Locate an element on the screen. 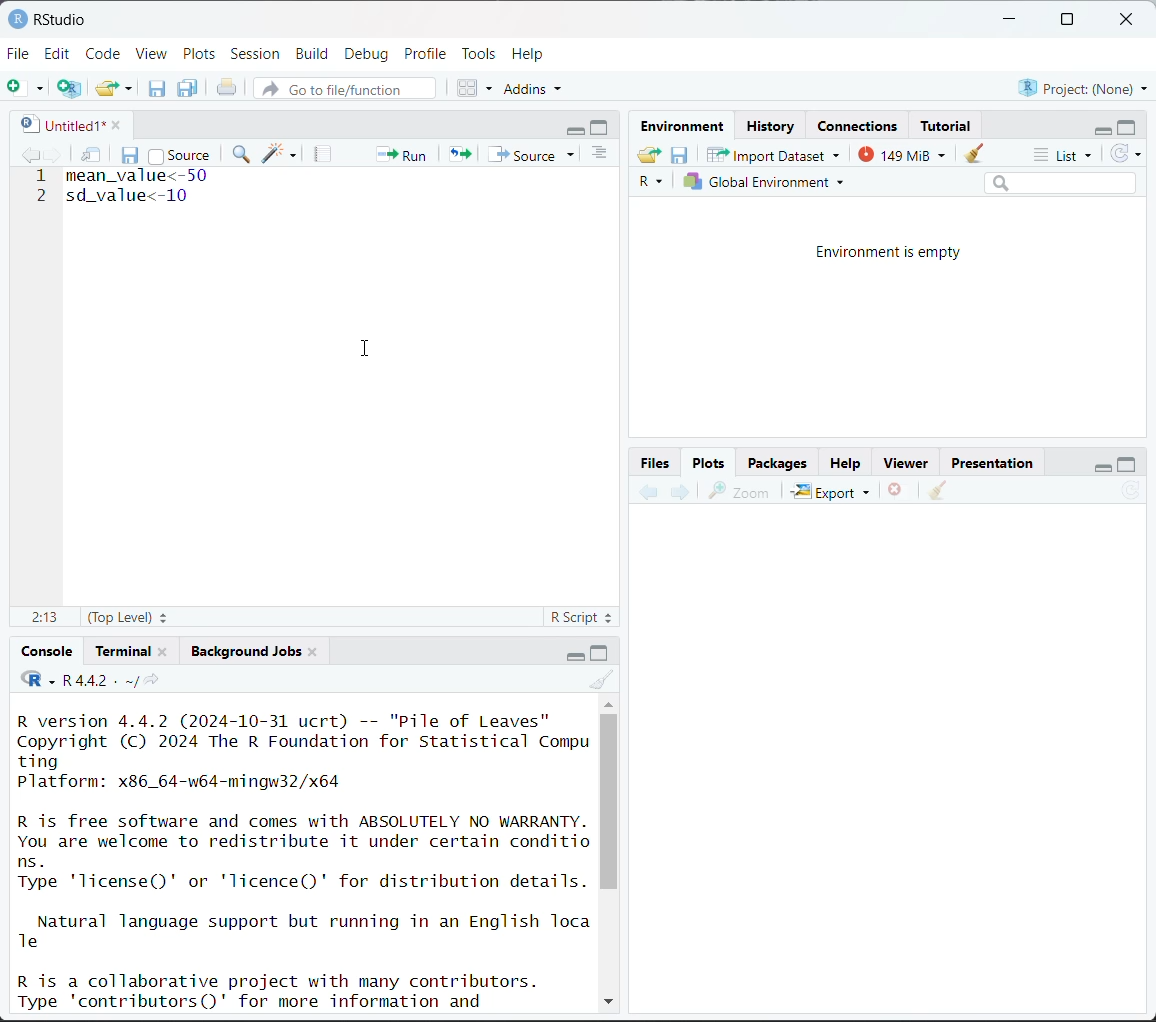 Image resolution: width=1156 pixels, height=1022 pixels. up is located at coordinates (608, 702).